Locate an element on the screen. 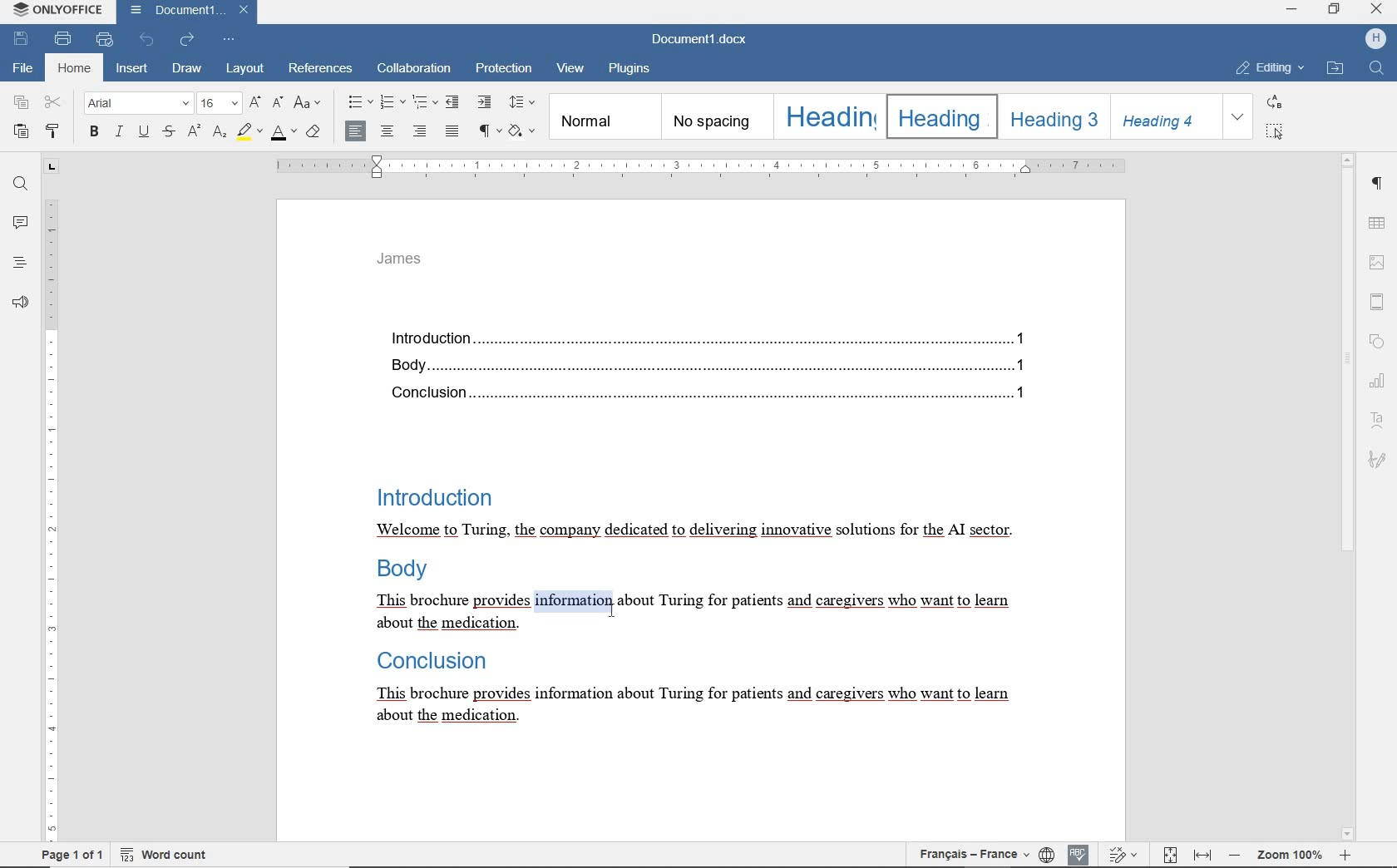 This screenshot has width=1397, height=868. EDITING is located at coordinates (1267, 69).